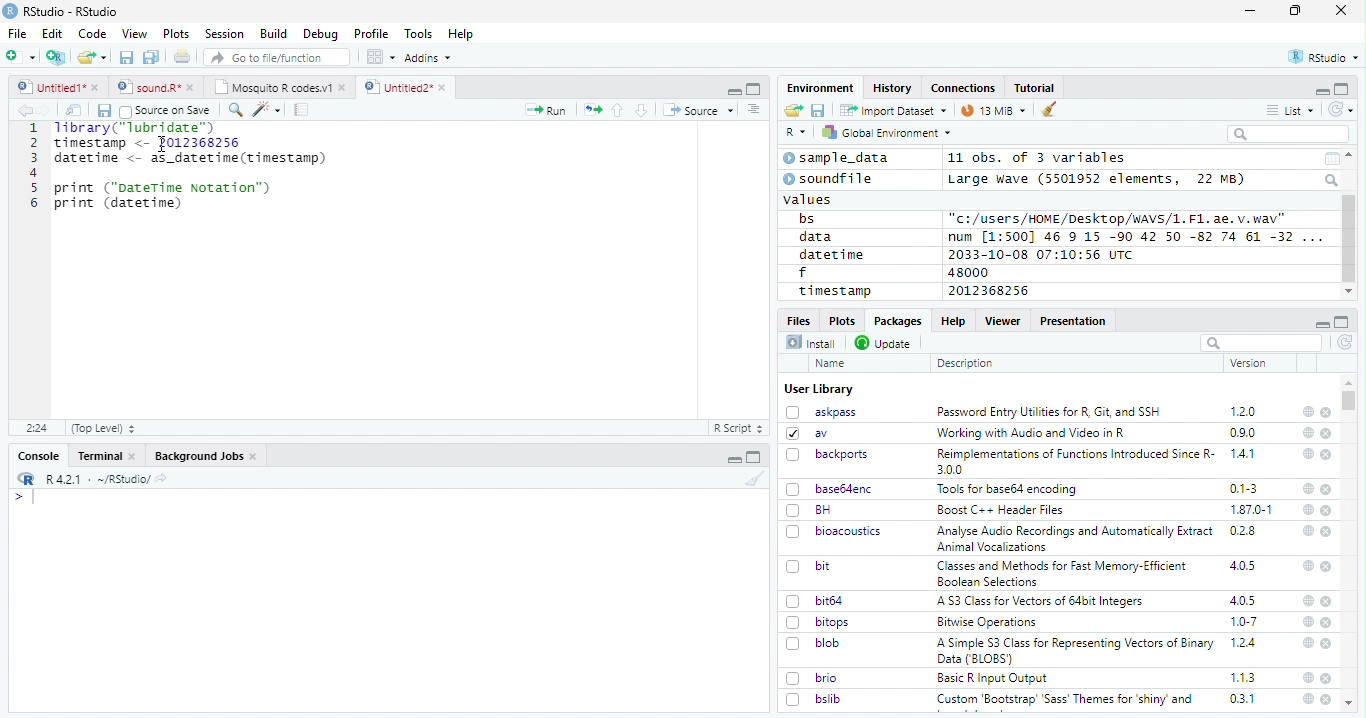 This screenshot has width=1366, height=718. What do you see at coordinates (1326, 489) in the screenshot?
I see `close` at bounding box center [1326, 489].